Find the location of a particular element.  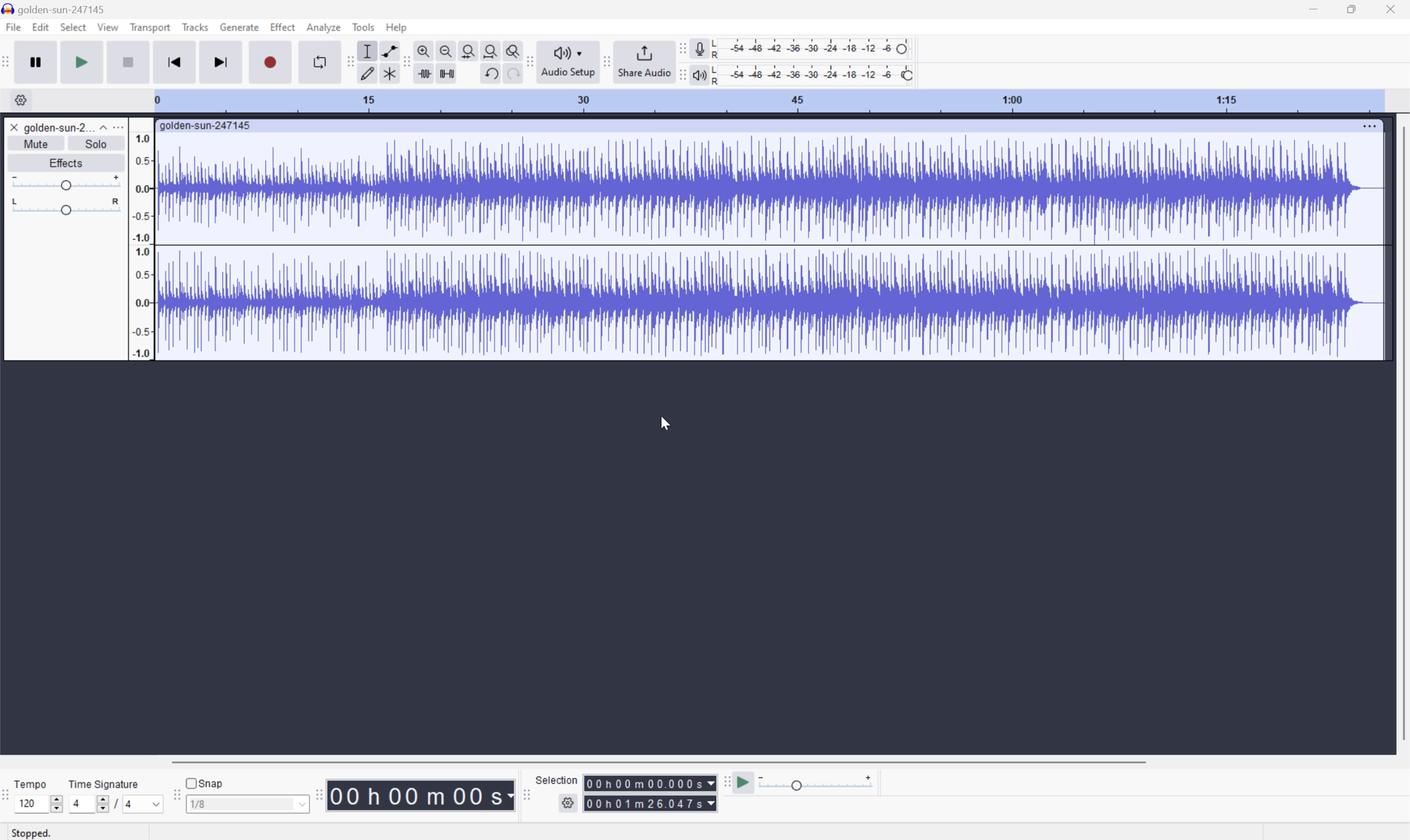

Pause is located at coordinates (38, 61).